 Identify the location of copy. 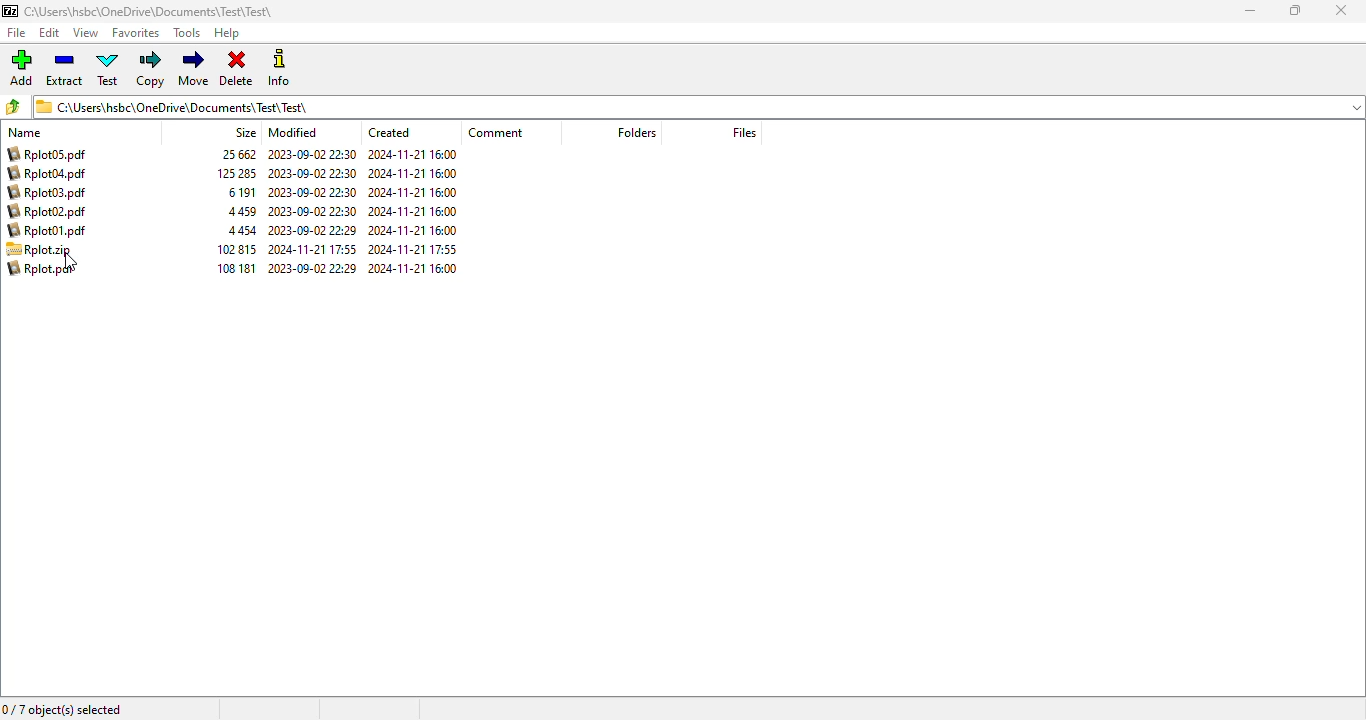
(150, 69).